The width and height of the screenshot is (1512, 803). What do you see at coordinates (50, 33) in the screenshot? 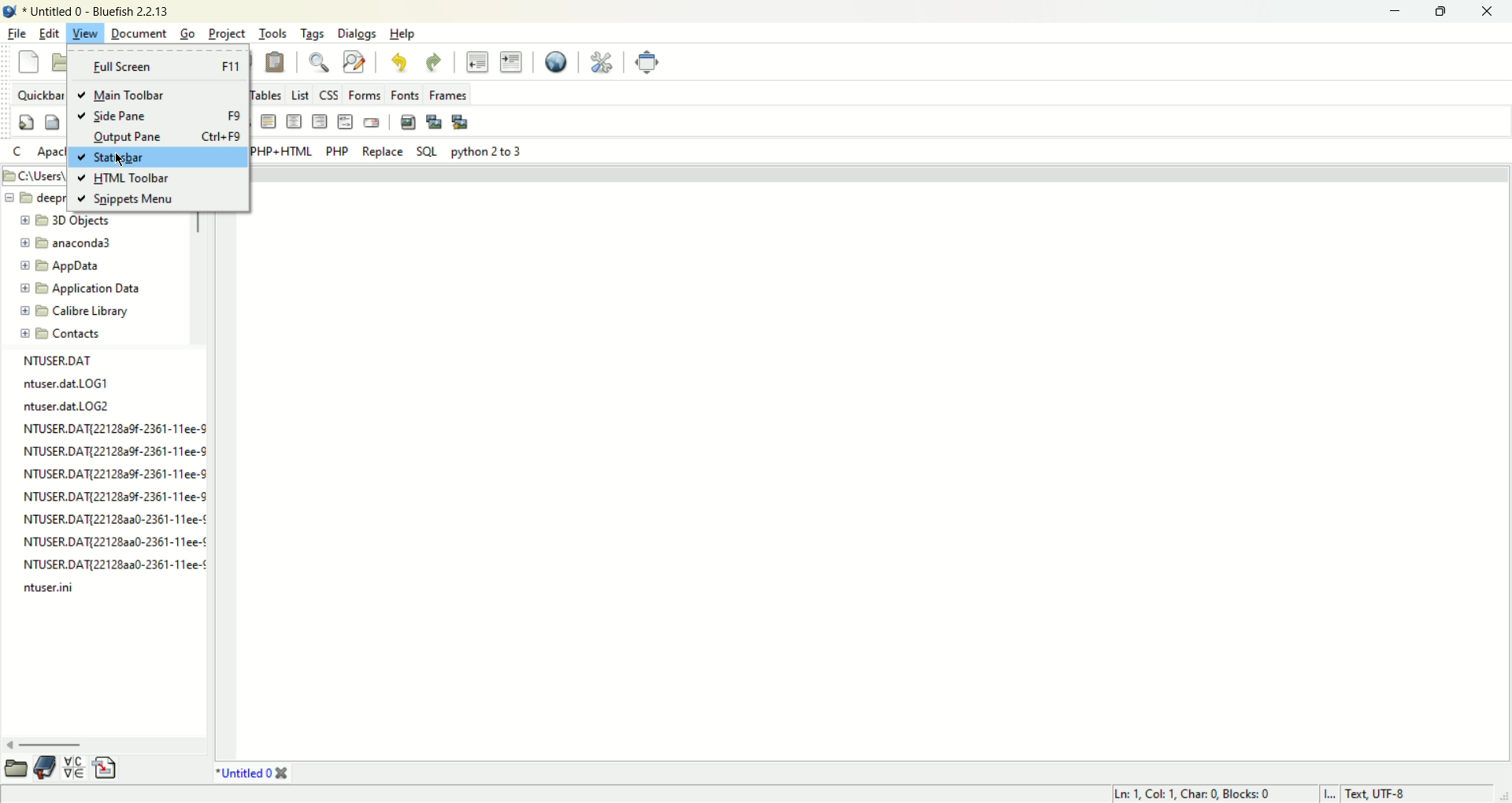
I see `edit` at bounding box center [50, 33].